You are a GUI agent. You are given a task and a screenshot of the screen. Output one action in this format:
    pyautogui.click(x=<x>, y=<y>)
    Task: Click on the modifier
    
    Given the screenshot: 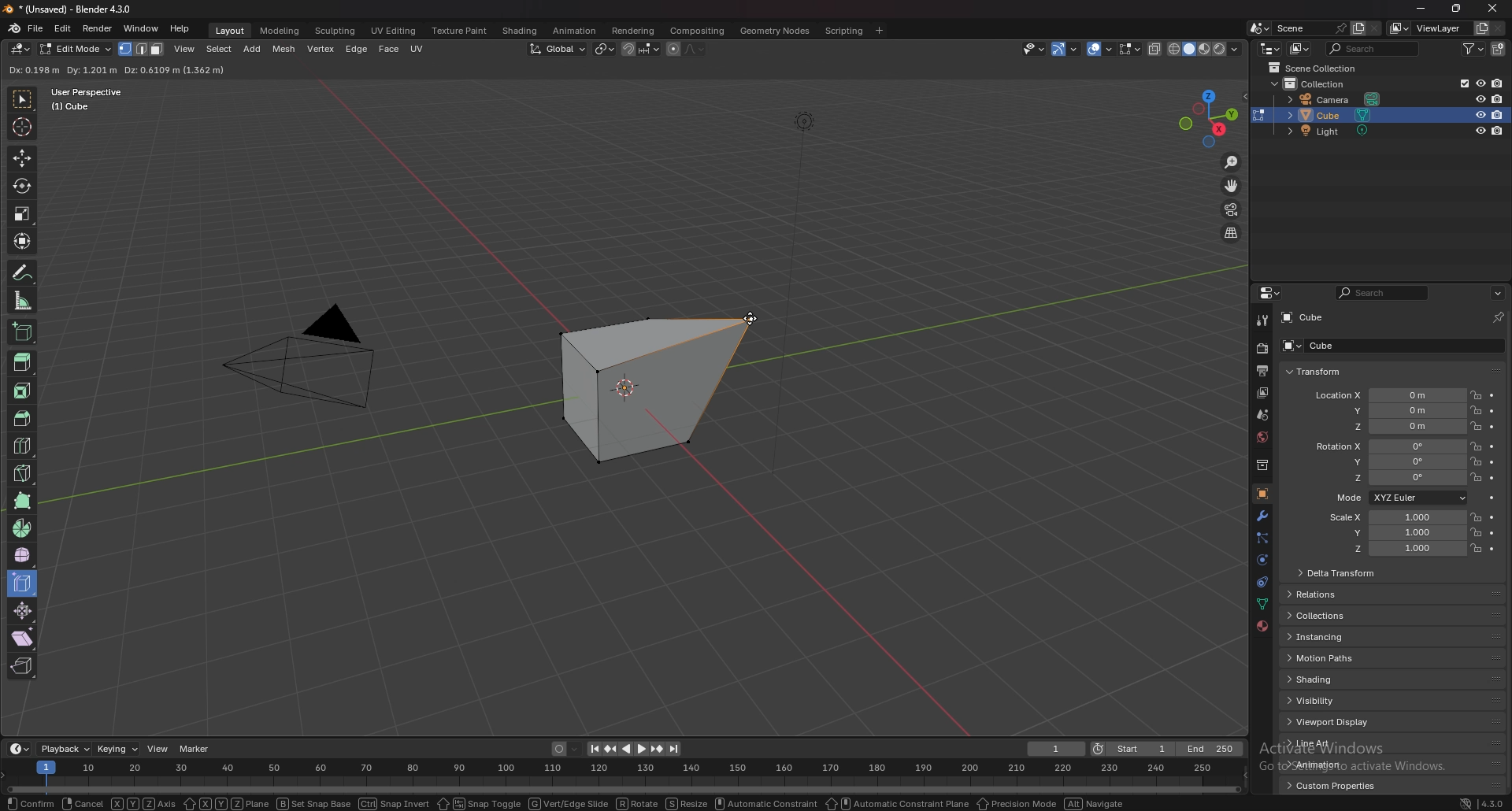 What is the action you would take?
    pyautogui.click(x=1264, y=515)
    